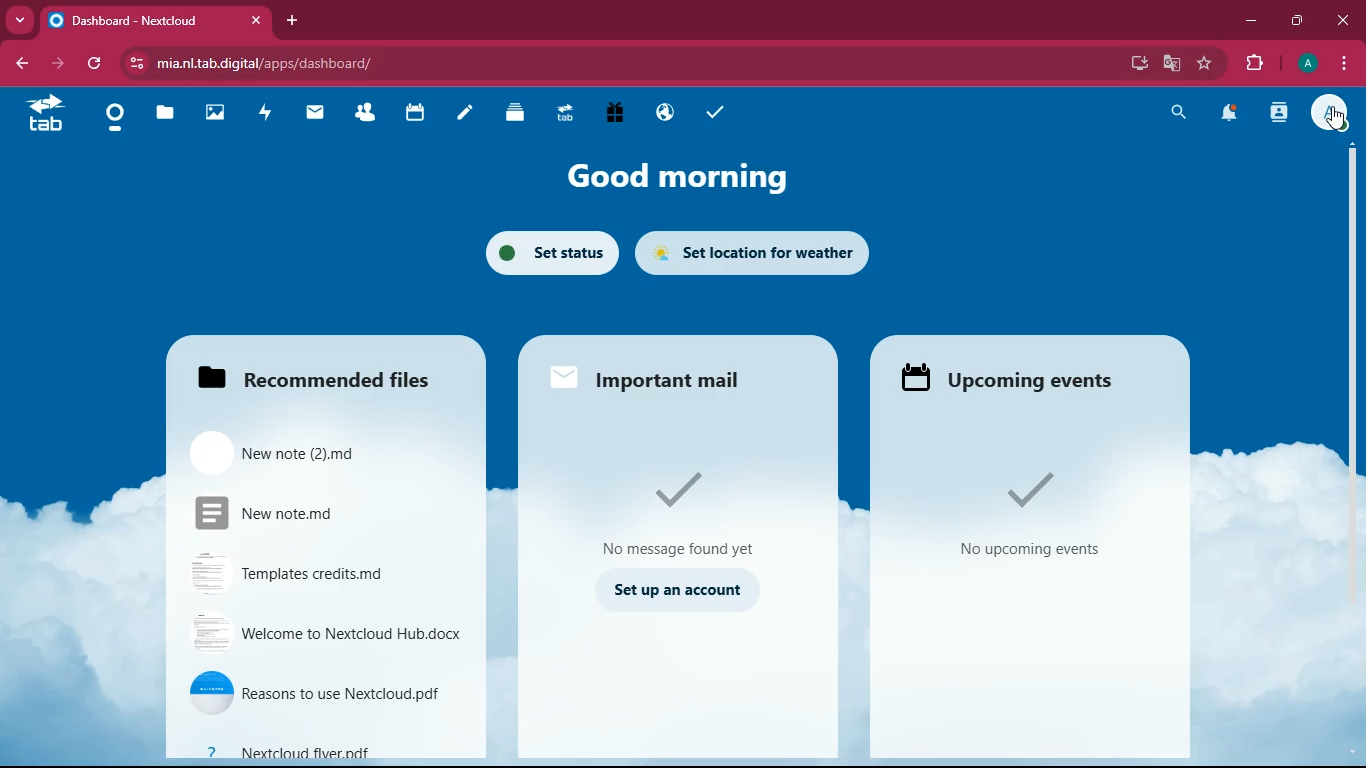 This screenshot has width=1366, height=768. What do you see at coordinates (289, 20) in the screenshot?
I see `add tab` at bounding box center [289, 20].